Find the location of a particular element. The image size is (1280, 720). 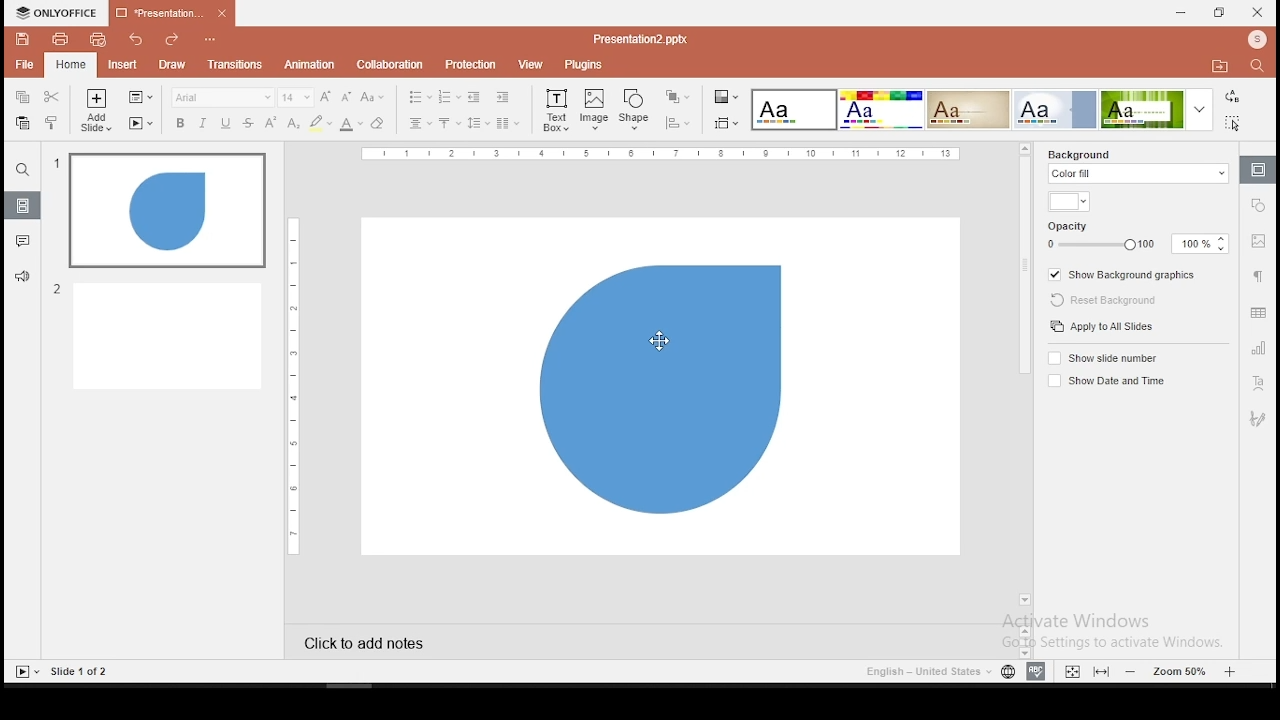

spacing is located at coordinates (477, 122).